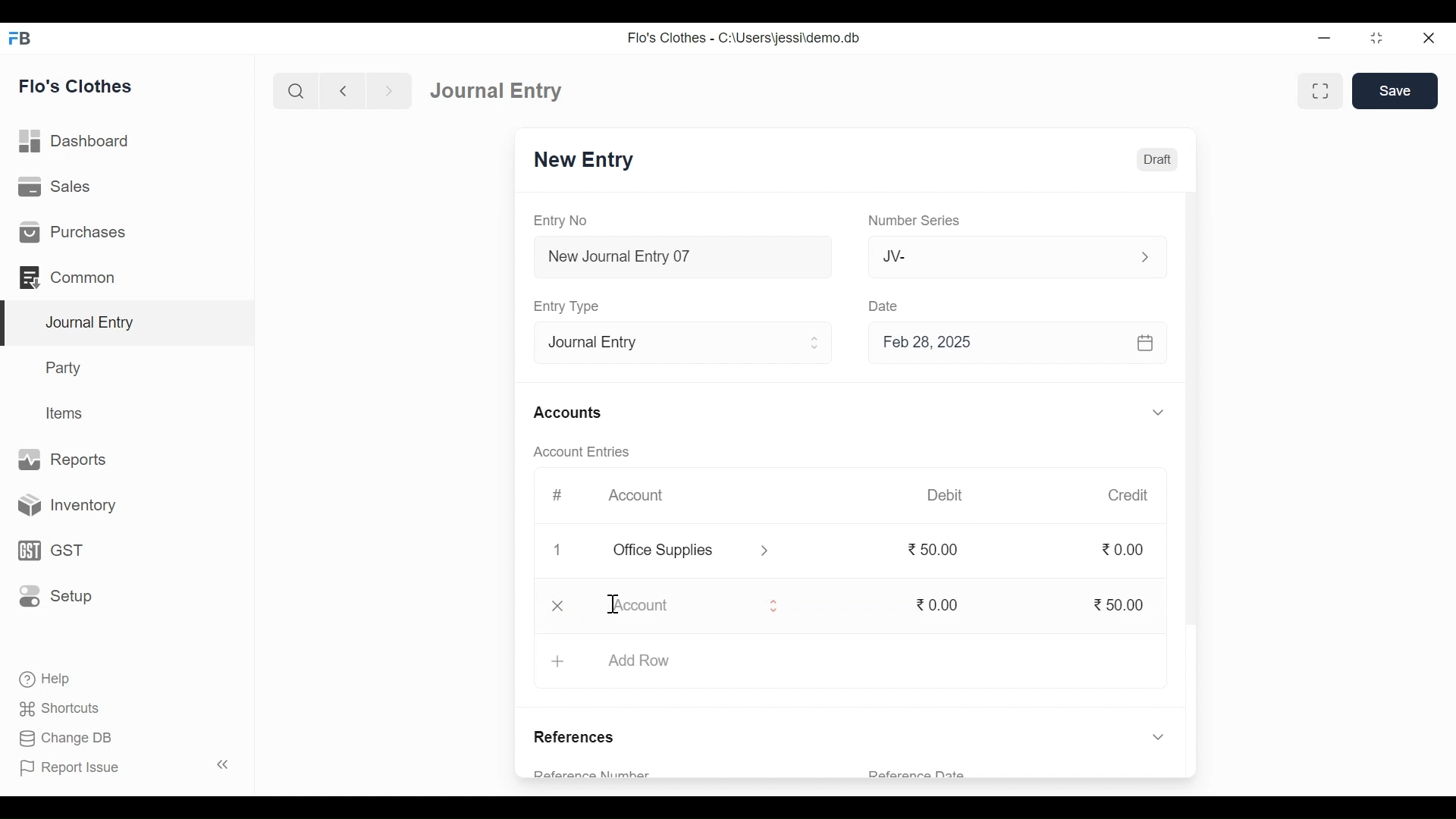 This screenshot has width=1456, height=819. I want to click on Flo's Clothes - C:\Users\jessi\demo.db, so click(746, 38).